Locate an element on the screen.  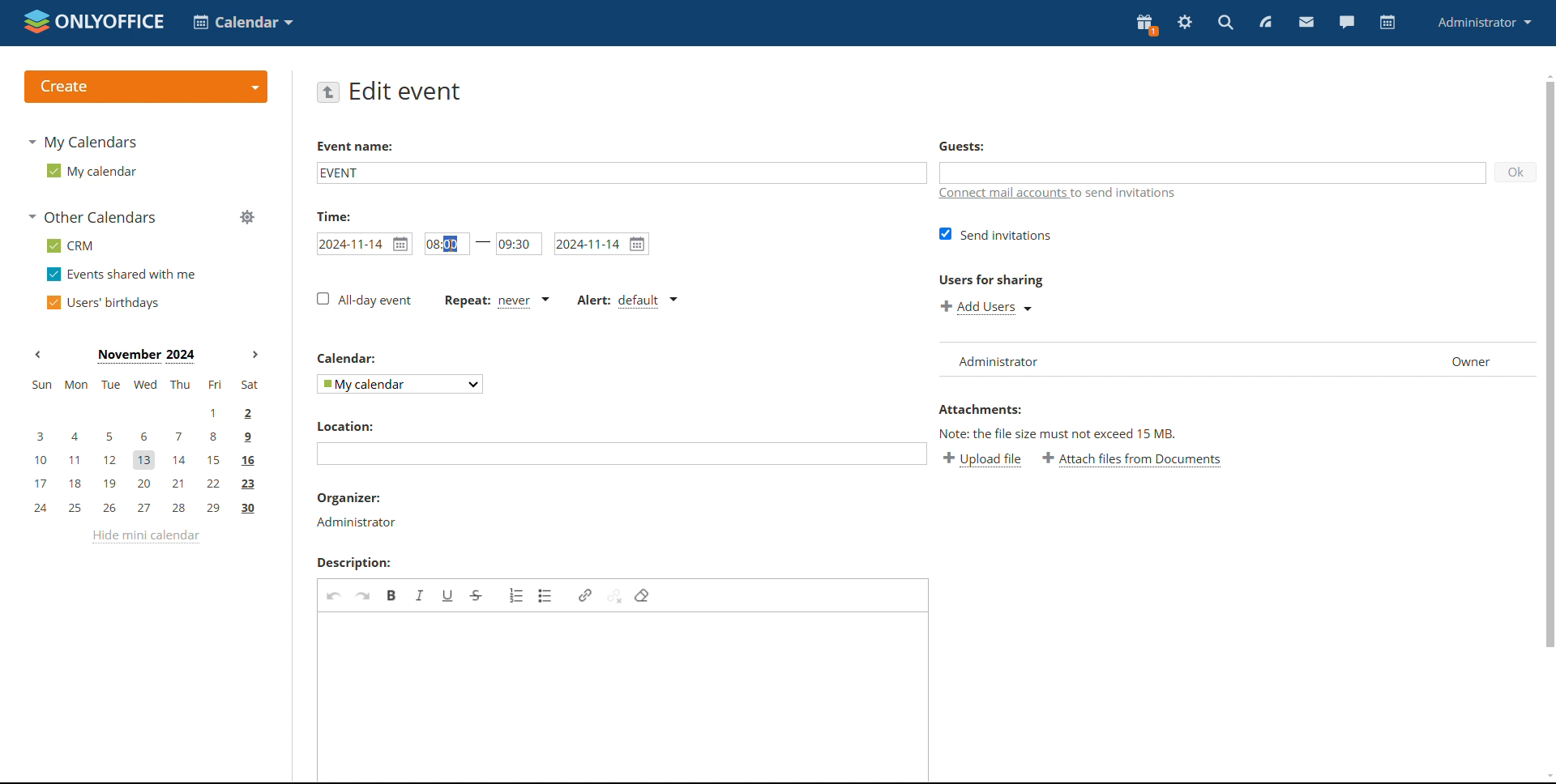
end date is located at coordinates (601, 244).